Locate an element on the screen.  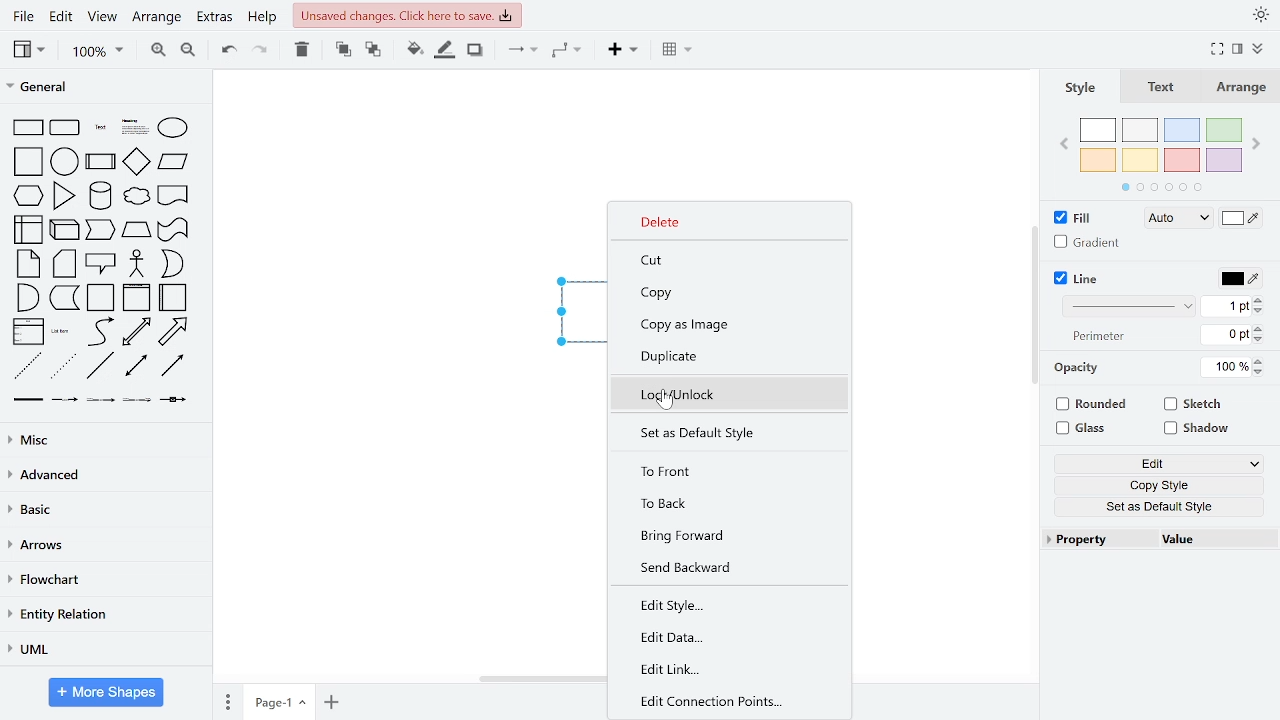
line color is located at coordinates (1239, 279).